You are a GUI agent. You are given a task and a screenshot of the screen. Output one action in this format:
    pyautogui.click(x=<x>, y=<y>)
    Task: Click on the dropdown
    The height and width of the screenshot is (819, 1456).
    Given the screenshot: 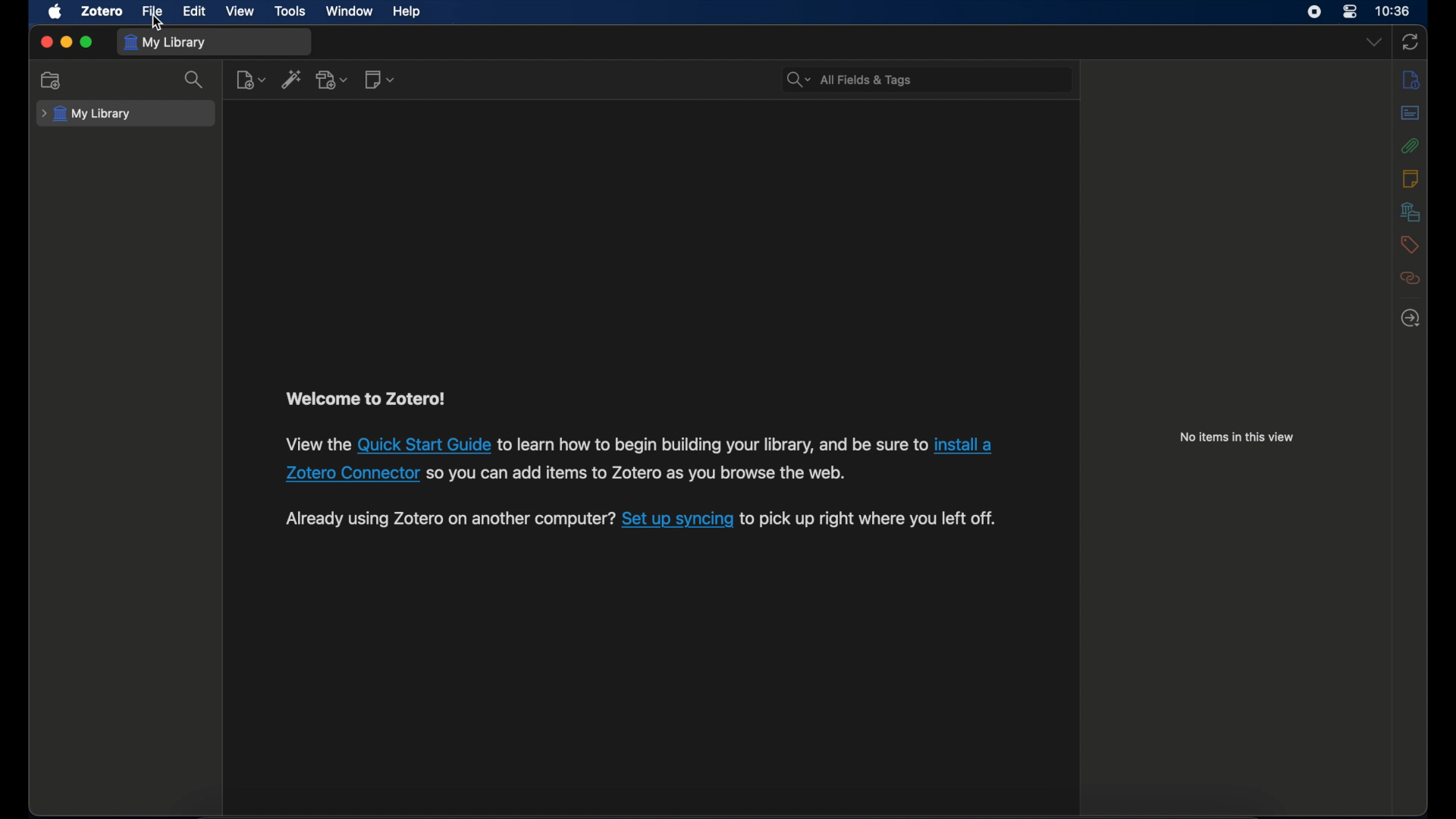 What is the action you would take?
    pyautogui.click(x=1373, y=42)
    